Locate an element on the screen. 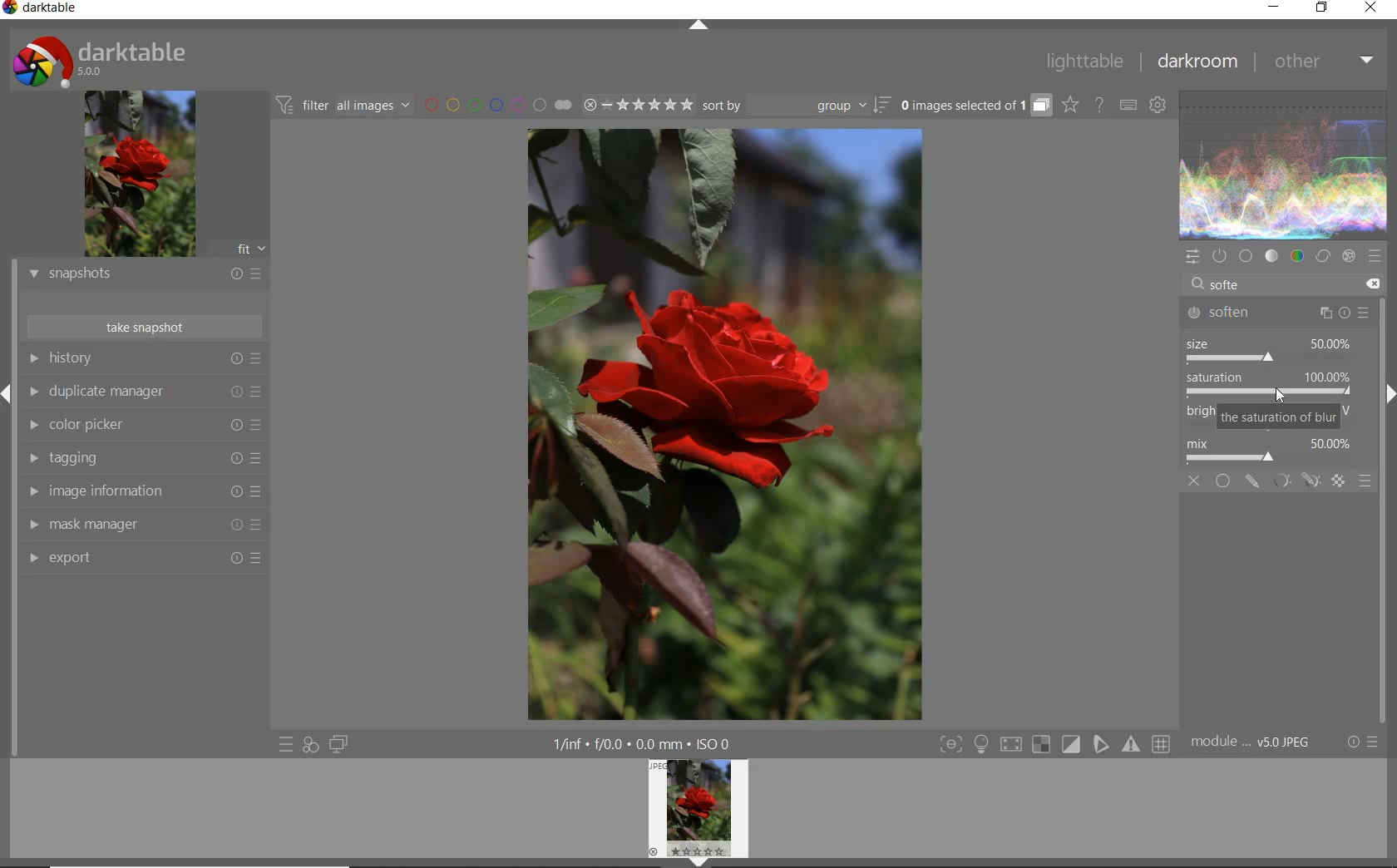 This screenshot has width=1397, height=868. saturation is located at coordinates (1269, 386).